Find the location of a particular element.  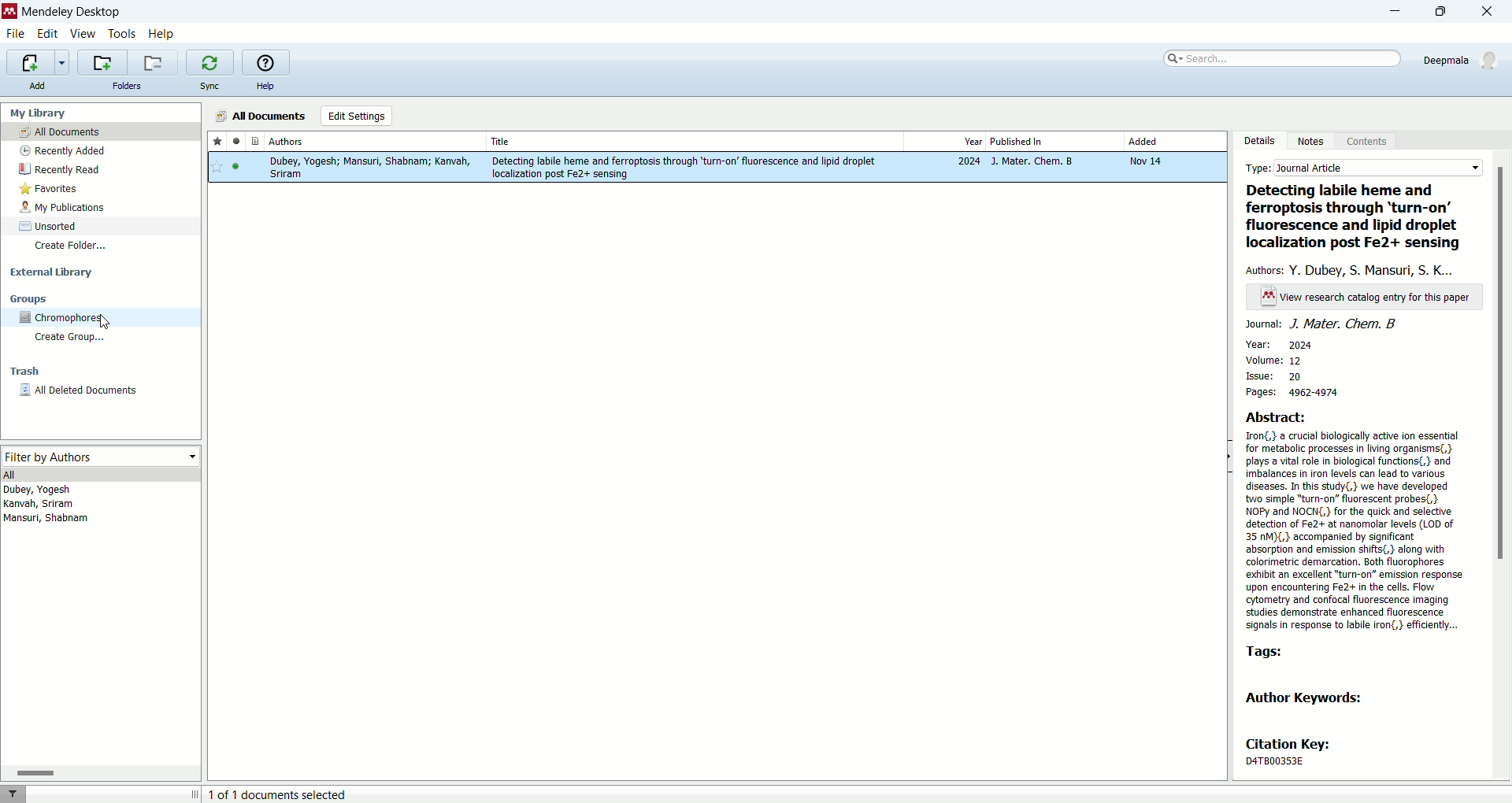

research paper is located at coordinates (716, 168).